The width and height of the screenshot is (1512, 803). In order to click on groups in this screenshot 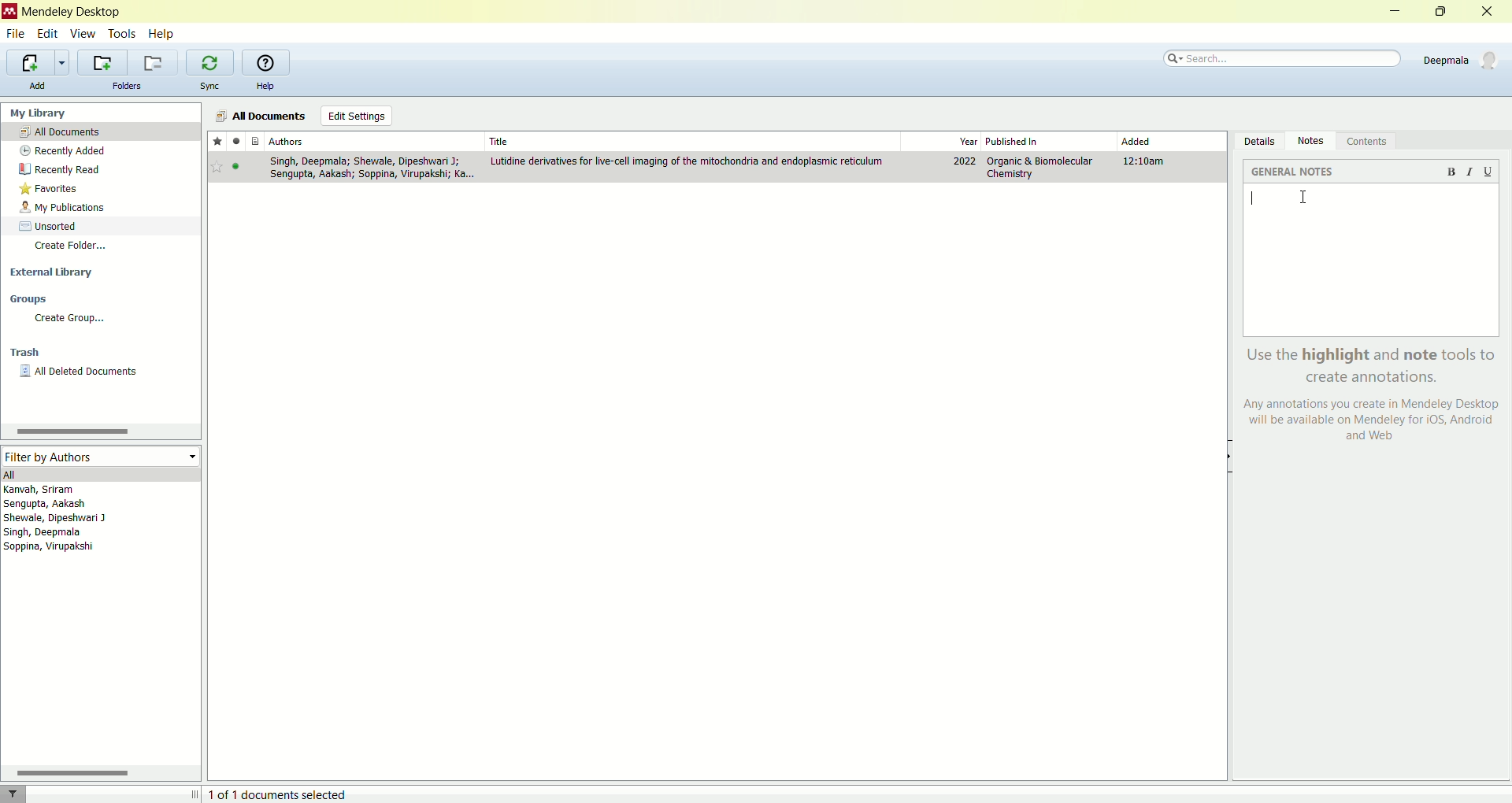, I will do `click(98, 299)`.